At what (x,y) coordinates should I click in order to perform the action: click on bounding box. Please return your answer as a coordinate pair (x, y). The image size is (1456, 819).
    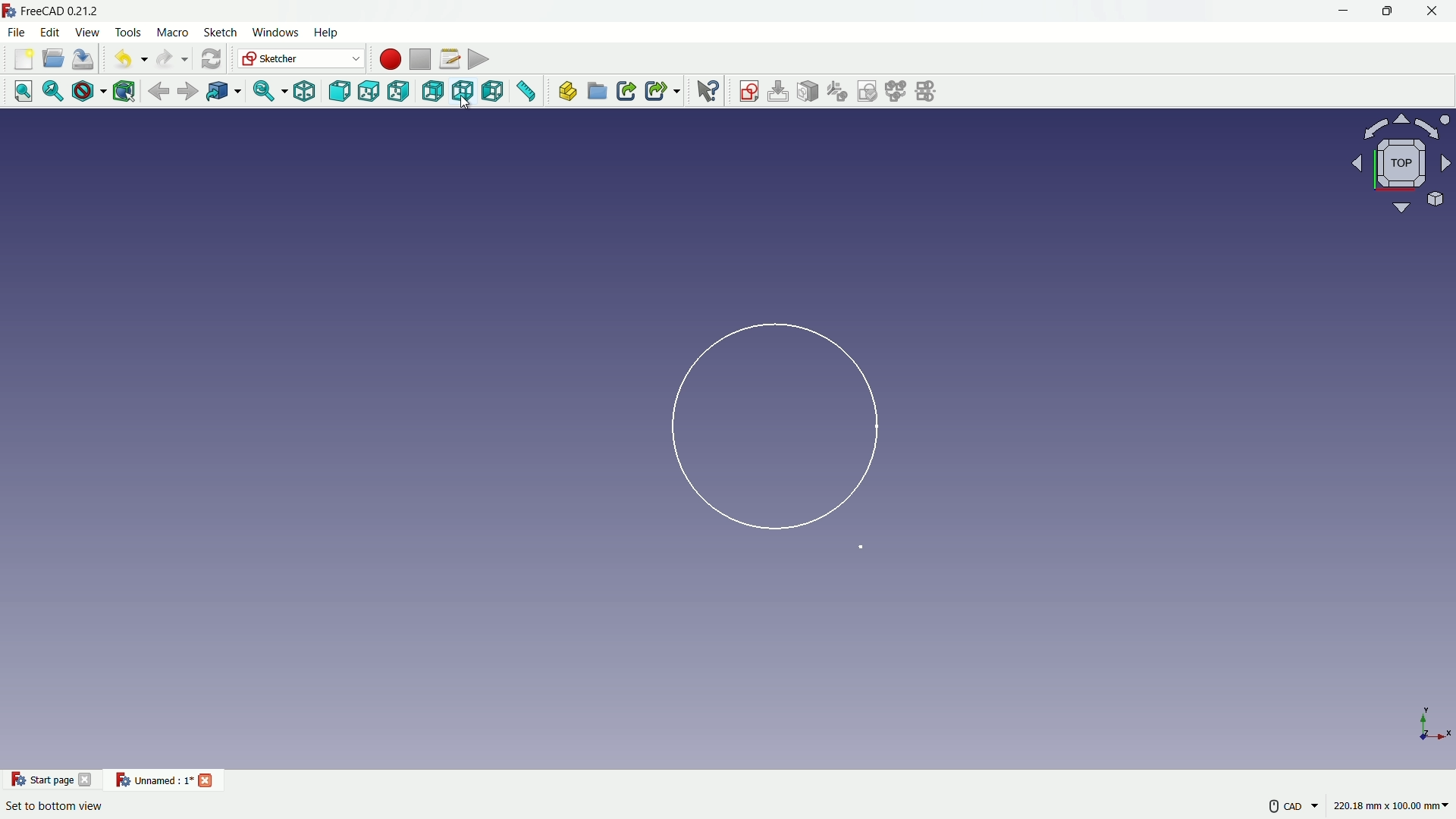
    Looking at the image, I should click on (125, 91).